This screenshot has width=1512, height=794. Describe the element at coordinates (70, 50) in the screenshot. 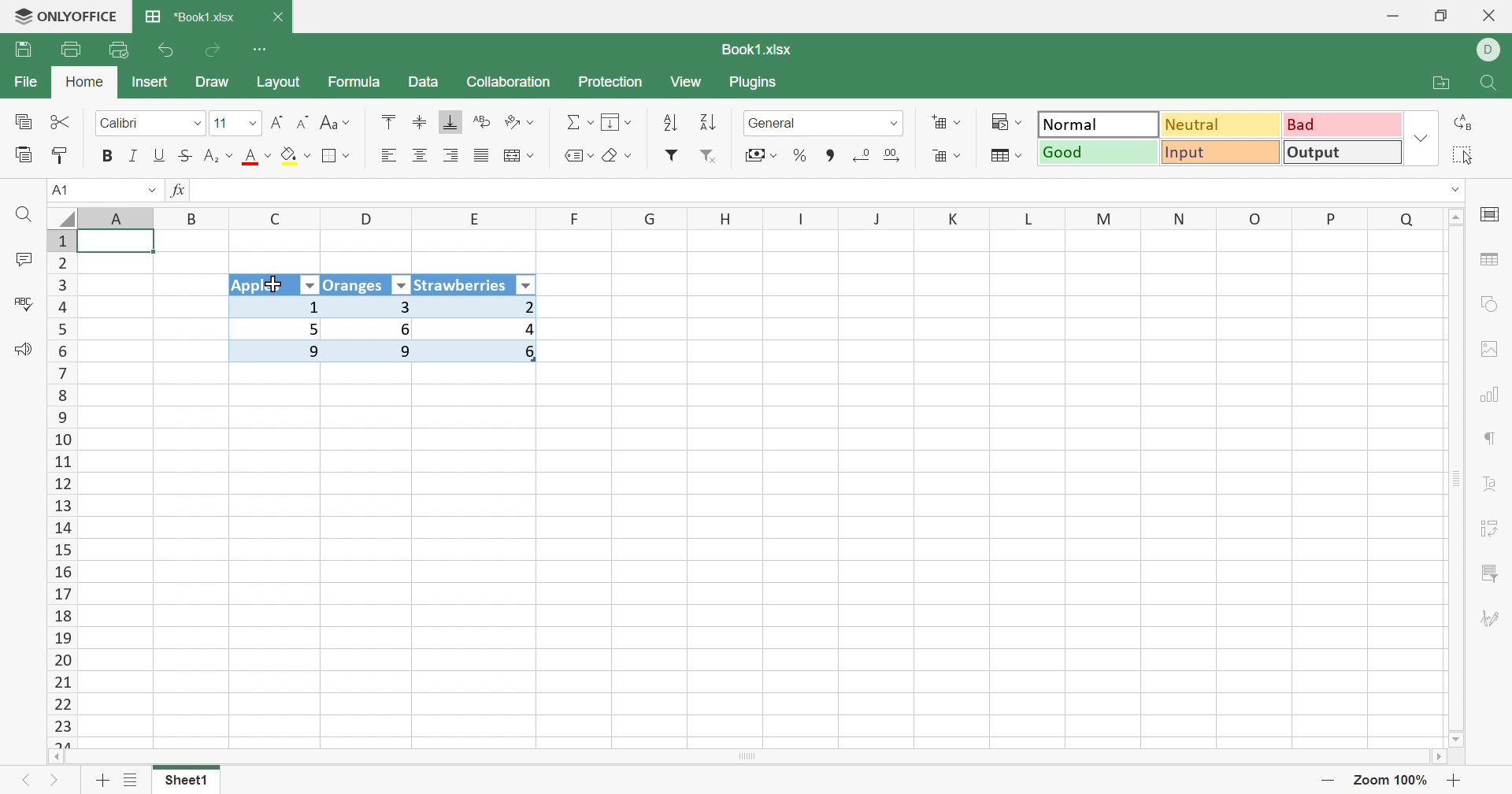

I see `Print` at that location.